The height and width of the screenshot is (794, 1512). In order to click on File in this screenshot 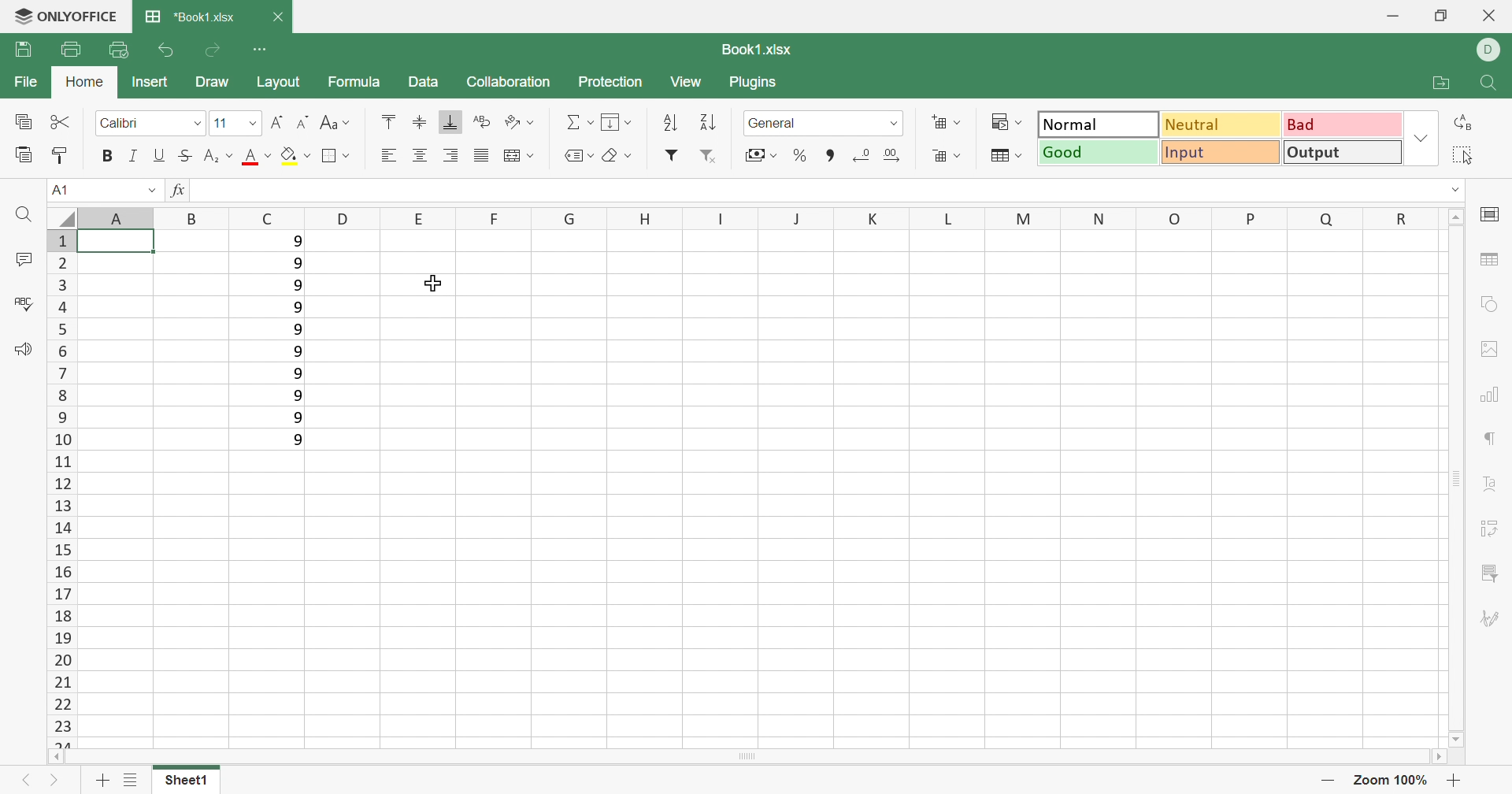, I will do `click(30, 82)`.